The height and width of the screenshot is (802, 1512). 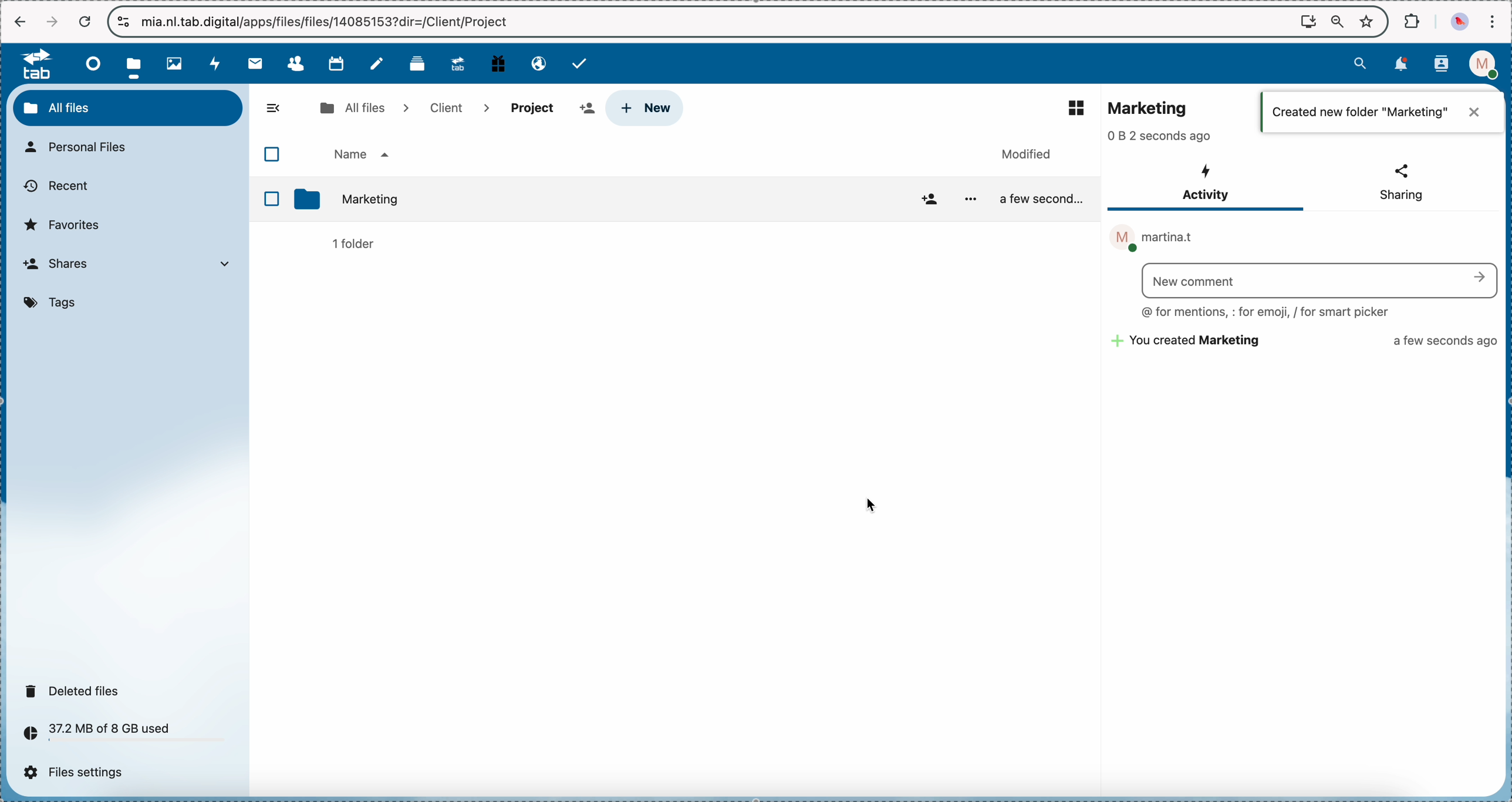 What do you see at coordinates (383, 200) in the screenshot?
I see `Marketing folder` at bounding box center [383, 200].